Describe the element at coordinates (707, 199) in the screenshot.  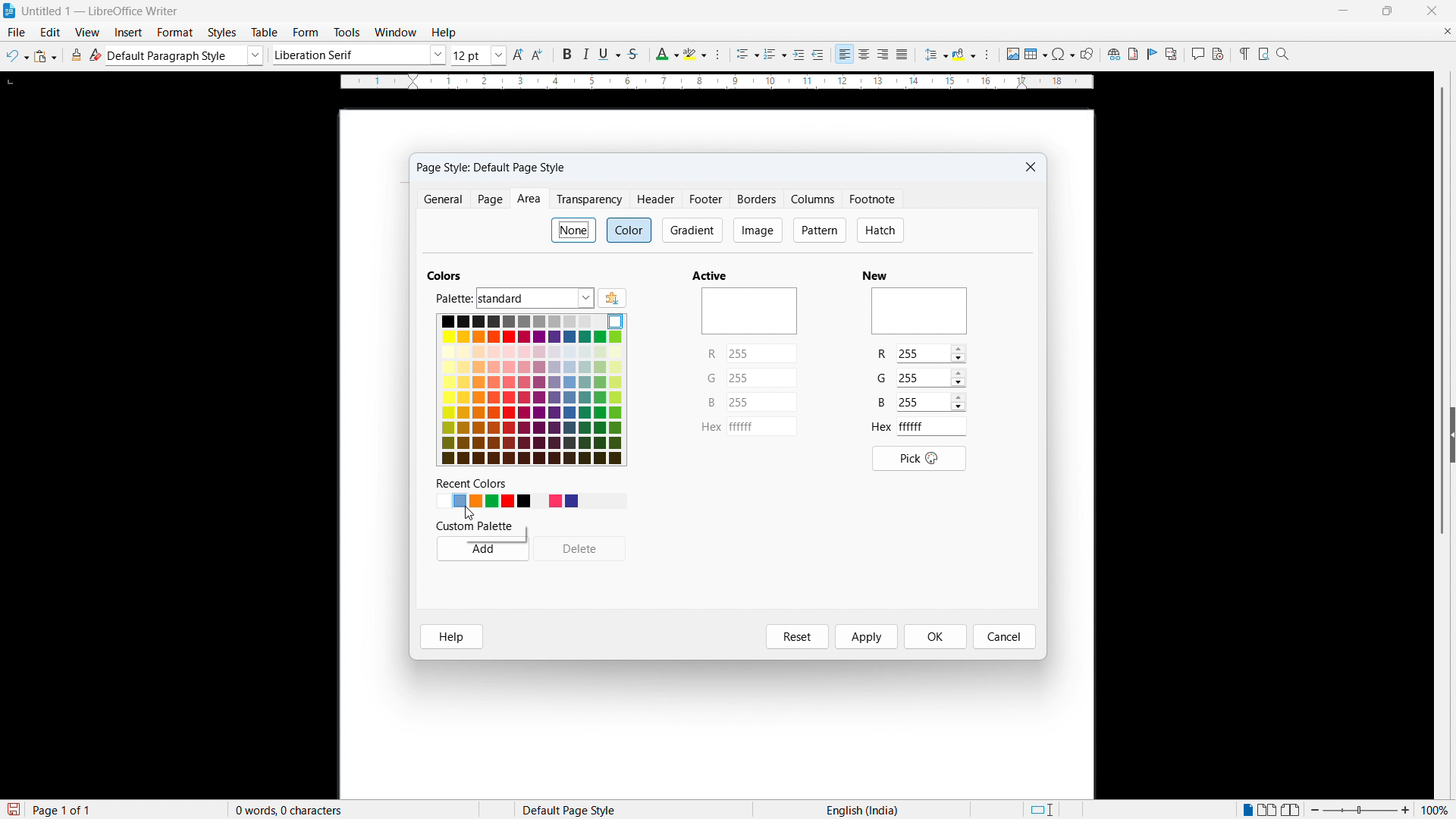
I see `Footer ` at that location.